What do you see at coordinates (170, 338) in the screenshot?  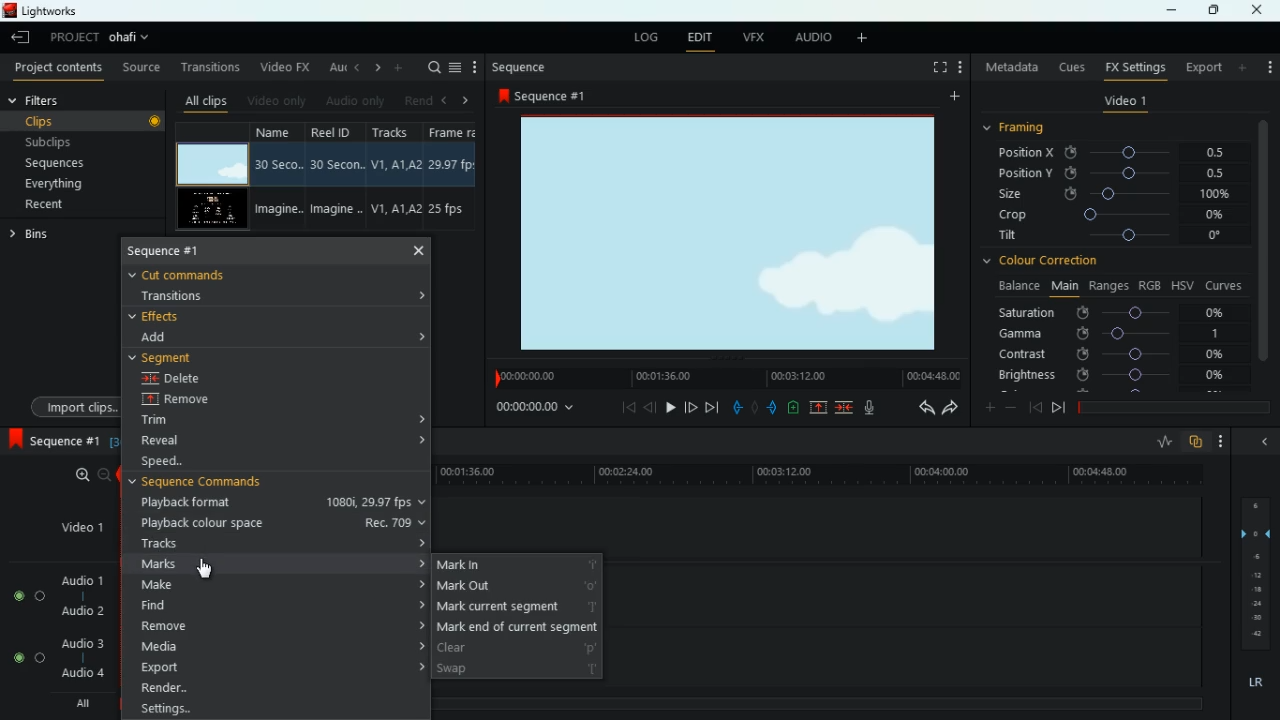 I see `add` at bounding box center [170, 338].